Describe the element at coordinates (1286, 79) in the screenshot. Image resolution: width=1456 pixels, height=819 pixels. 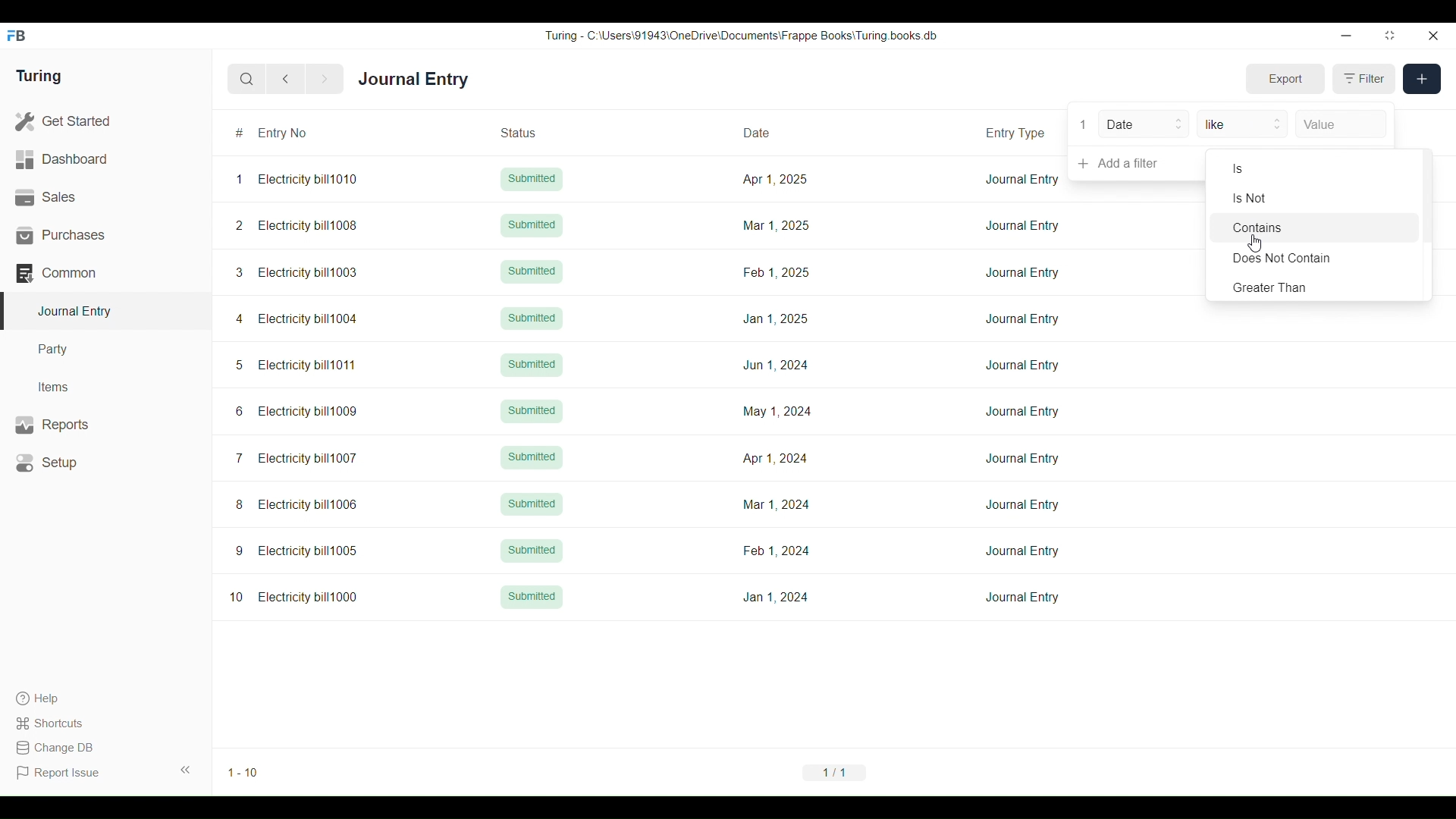
I see `Export` at that location.